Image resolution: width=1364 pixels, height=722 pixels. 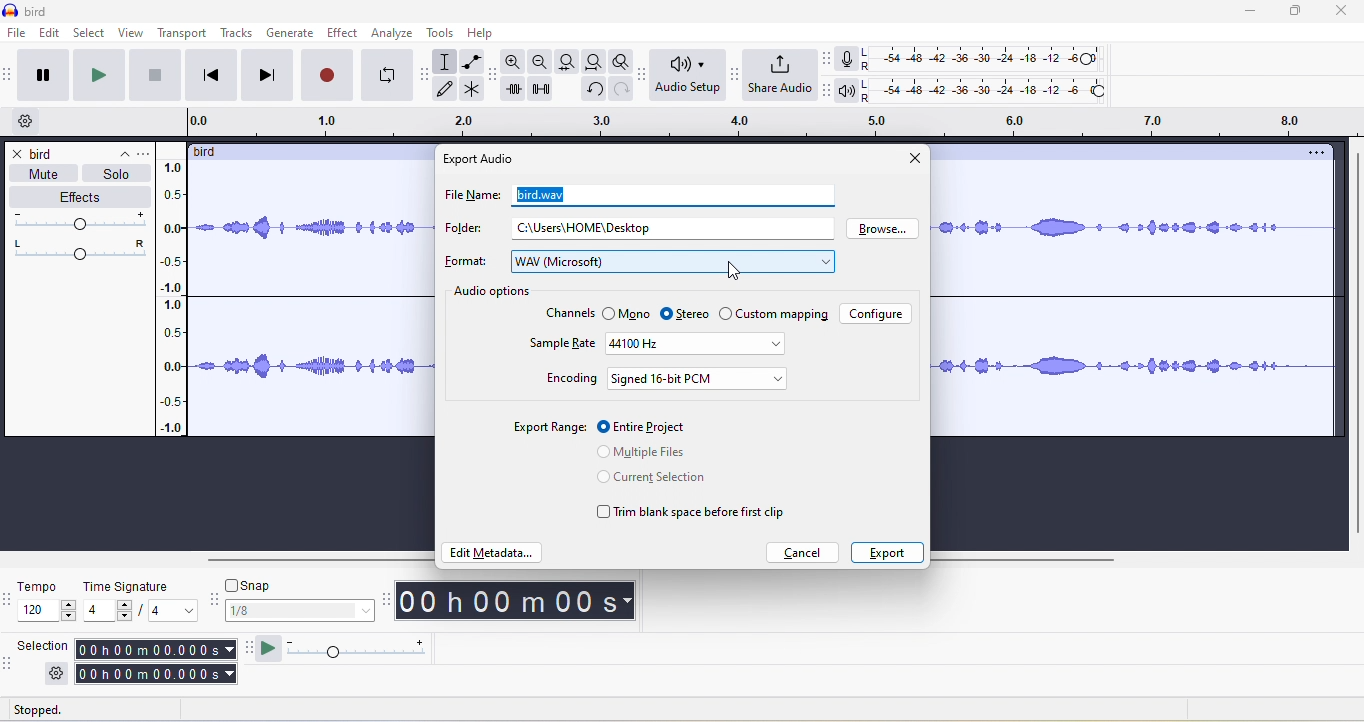 I want to click on mono, so click(x=628, y=312).